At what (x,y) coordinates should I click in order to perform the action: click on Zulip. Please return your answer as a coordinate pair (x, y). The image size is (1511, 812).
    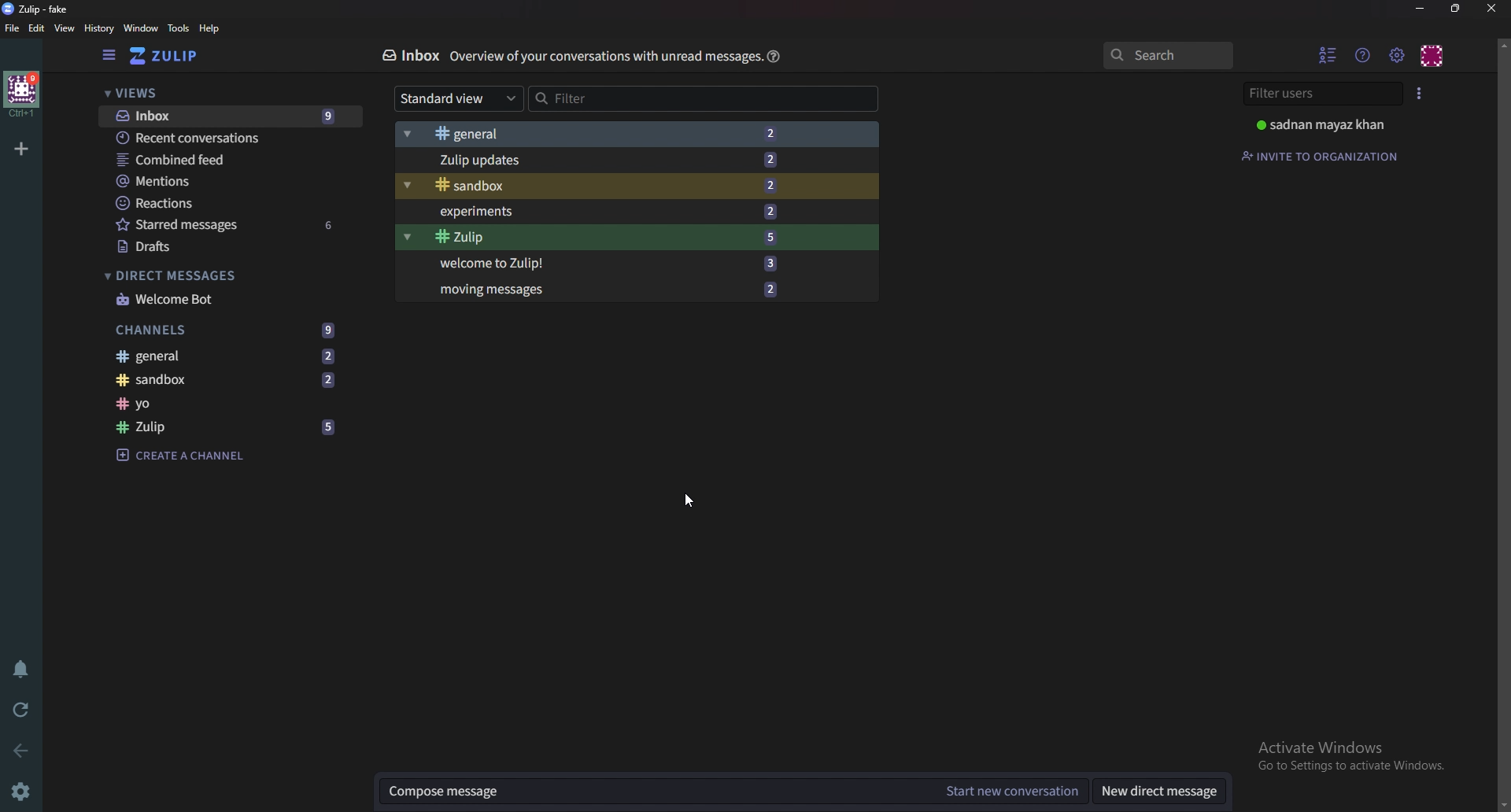
    Looking at the image, I should click on (630, 238).